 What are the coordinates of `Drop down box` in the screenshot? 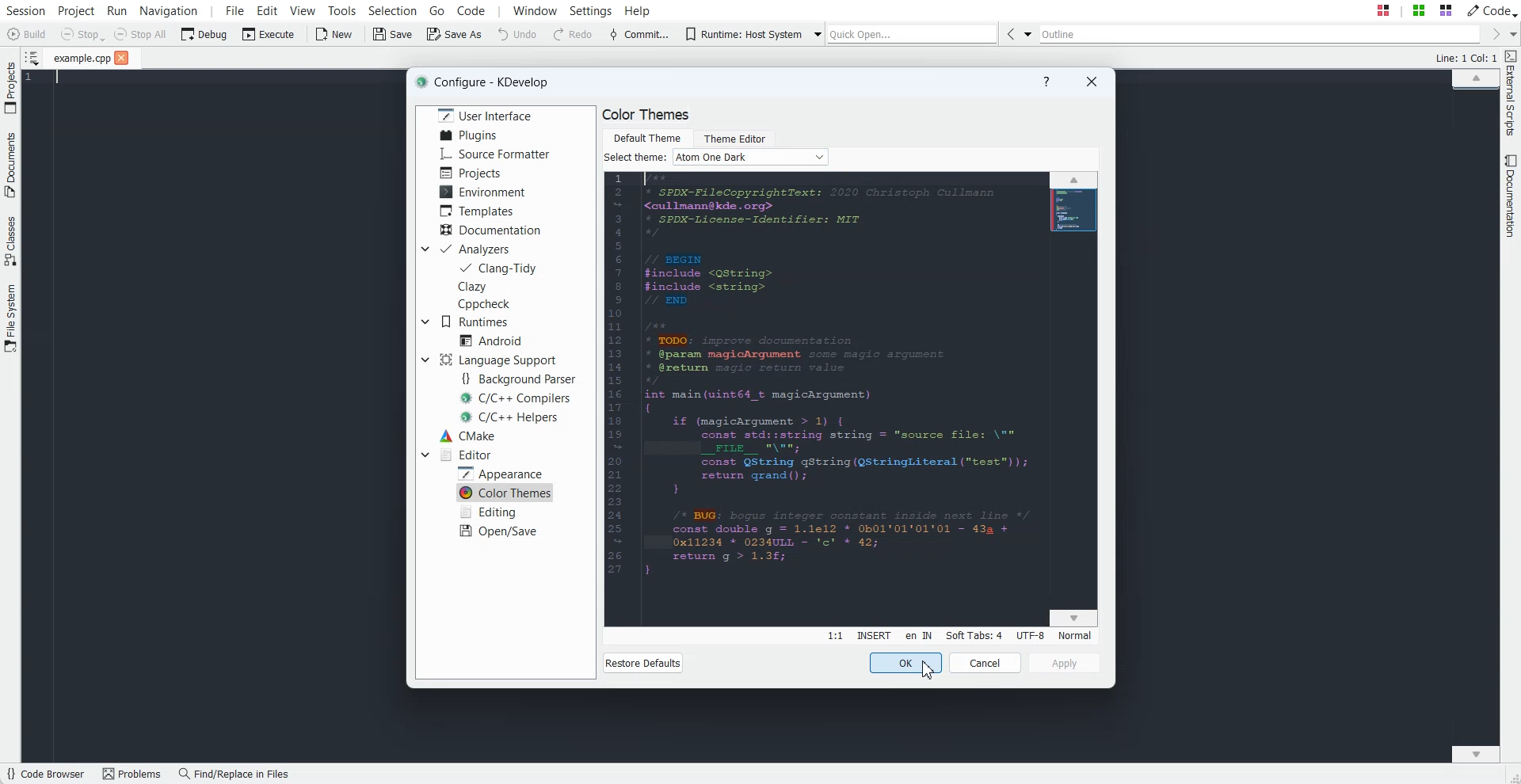 It's located at (1511, 34).